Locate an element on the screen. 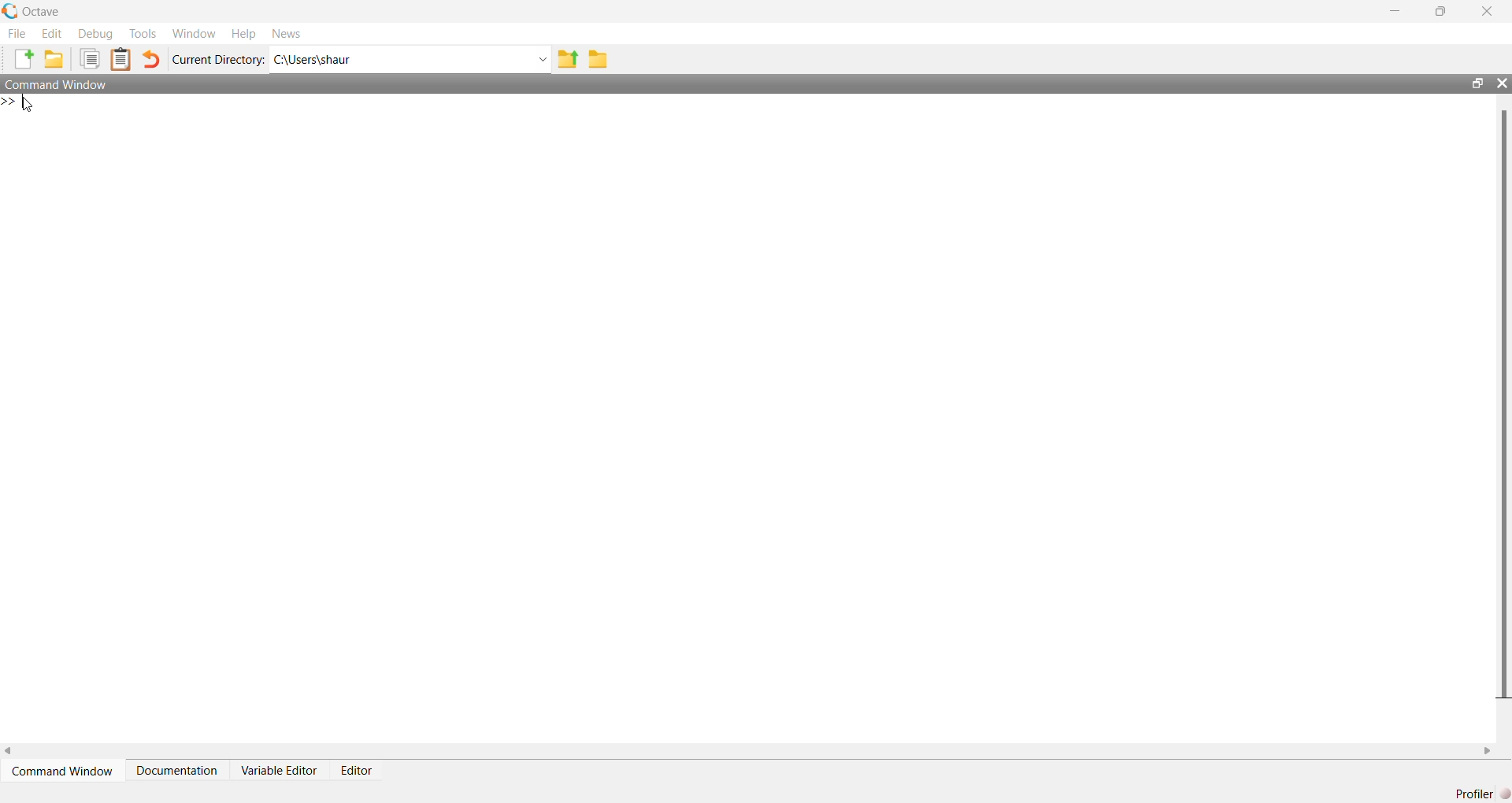  Command Window is located at coordinates (65, 771).